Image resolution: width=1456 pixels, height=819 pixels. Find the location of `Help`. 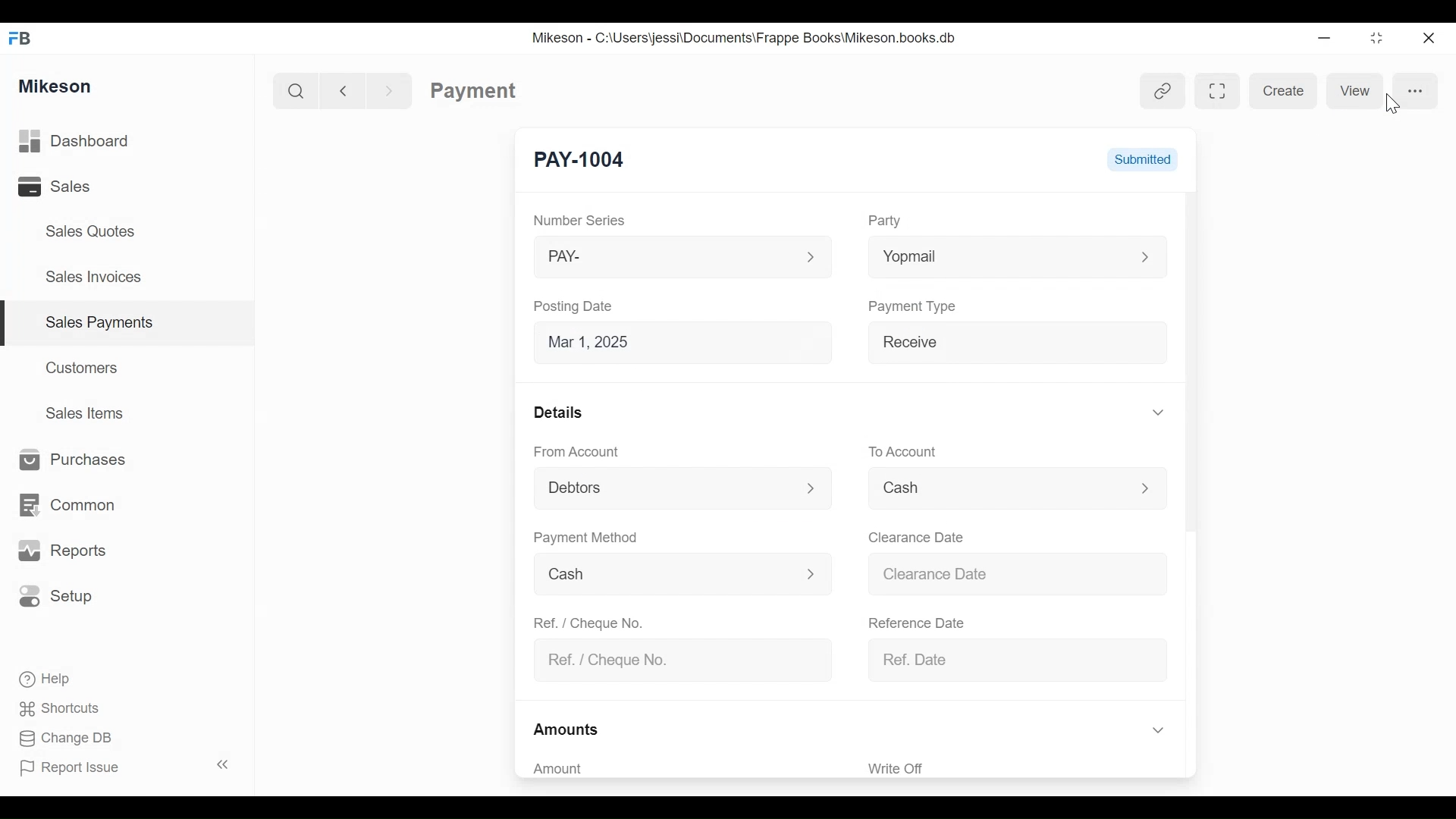

Help is located at coordinates (56, 679).